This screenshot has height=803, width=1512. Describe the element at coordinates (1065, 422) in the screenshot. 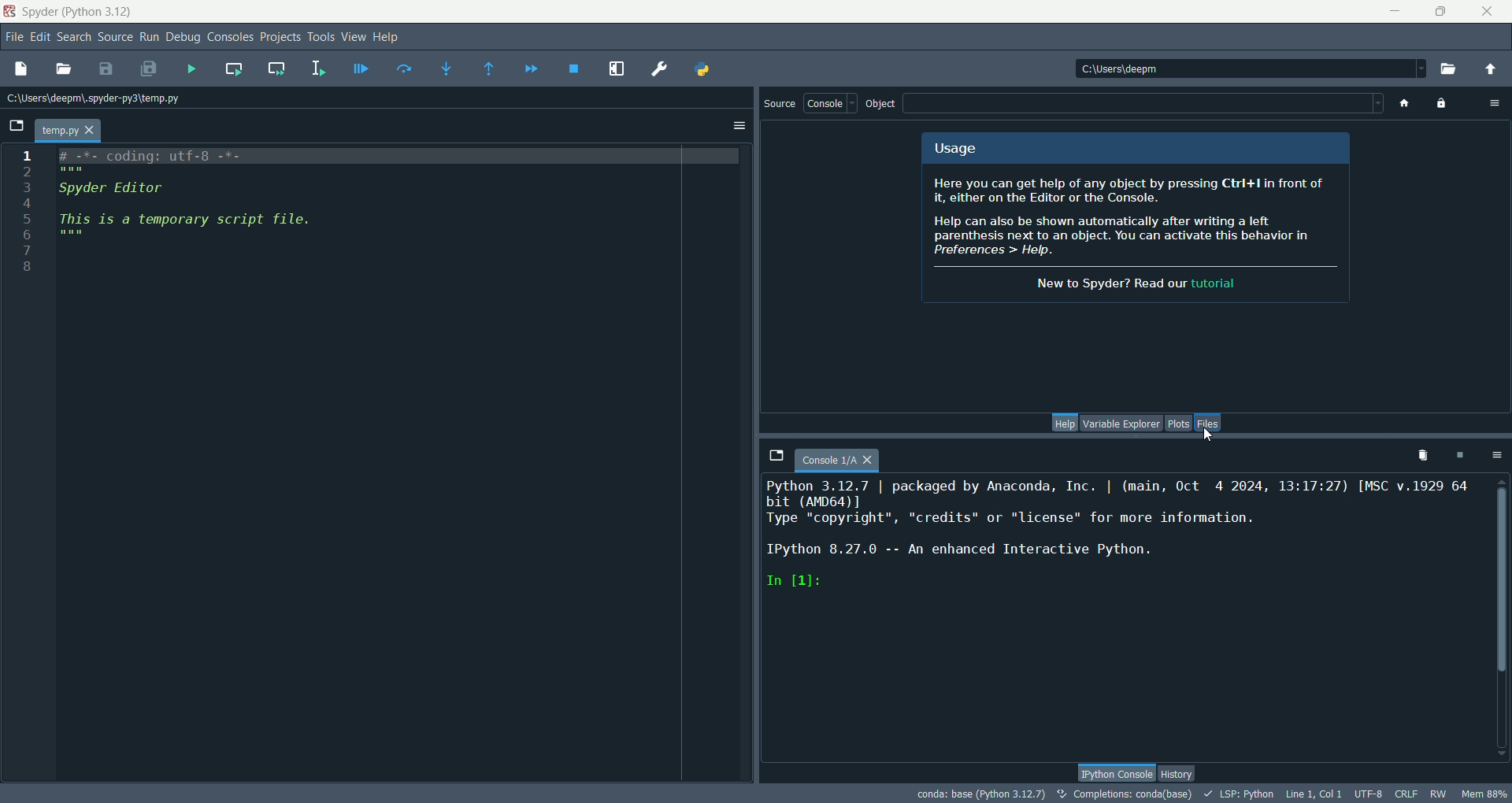

I see `help` at that location.